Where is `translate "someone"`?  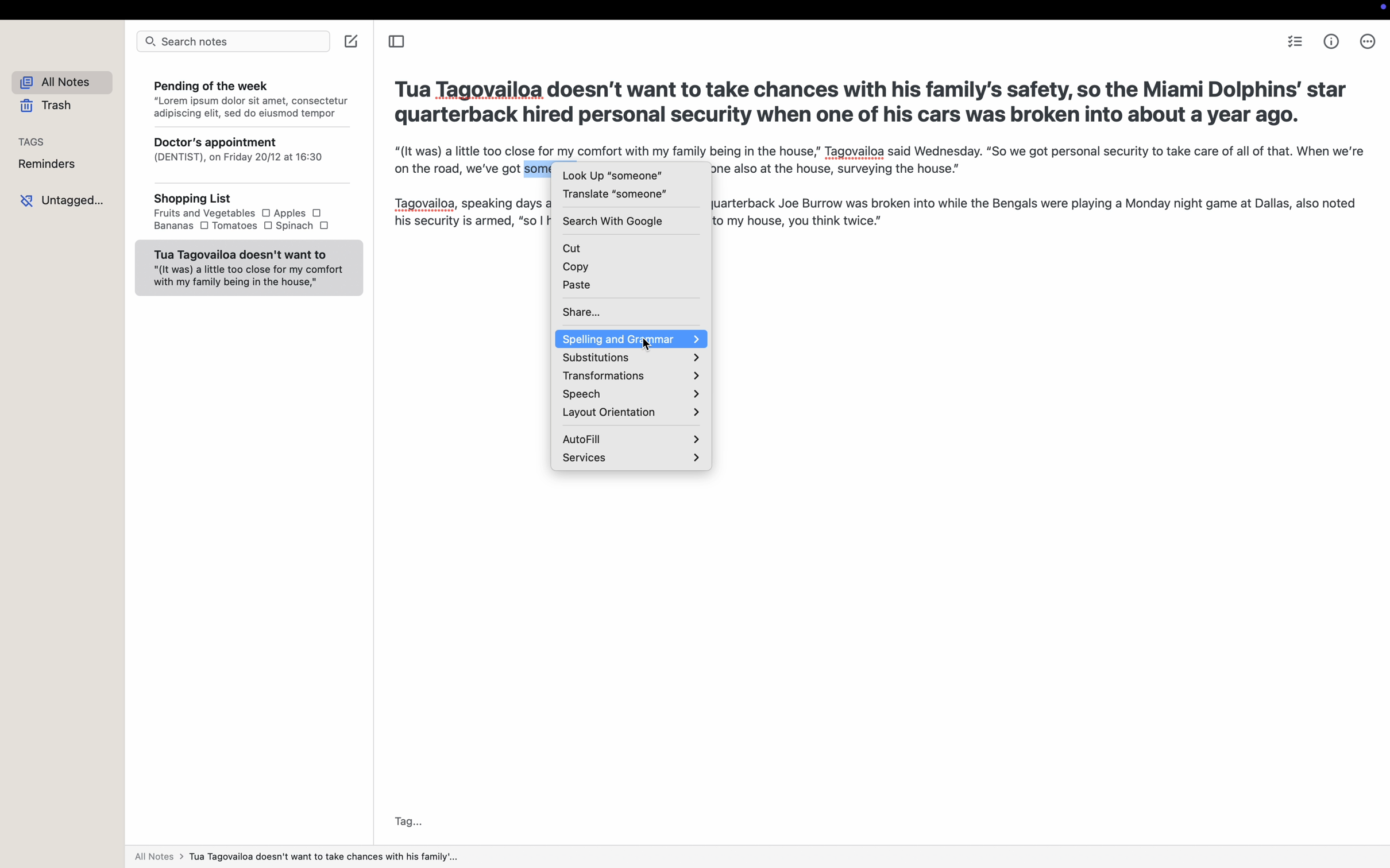 translate "someone" is located at coordinates (615, 194).